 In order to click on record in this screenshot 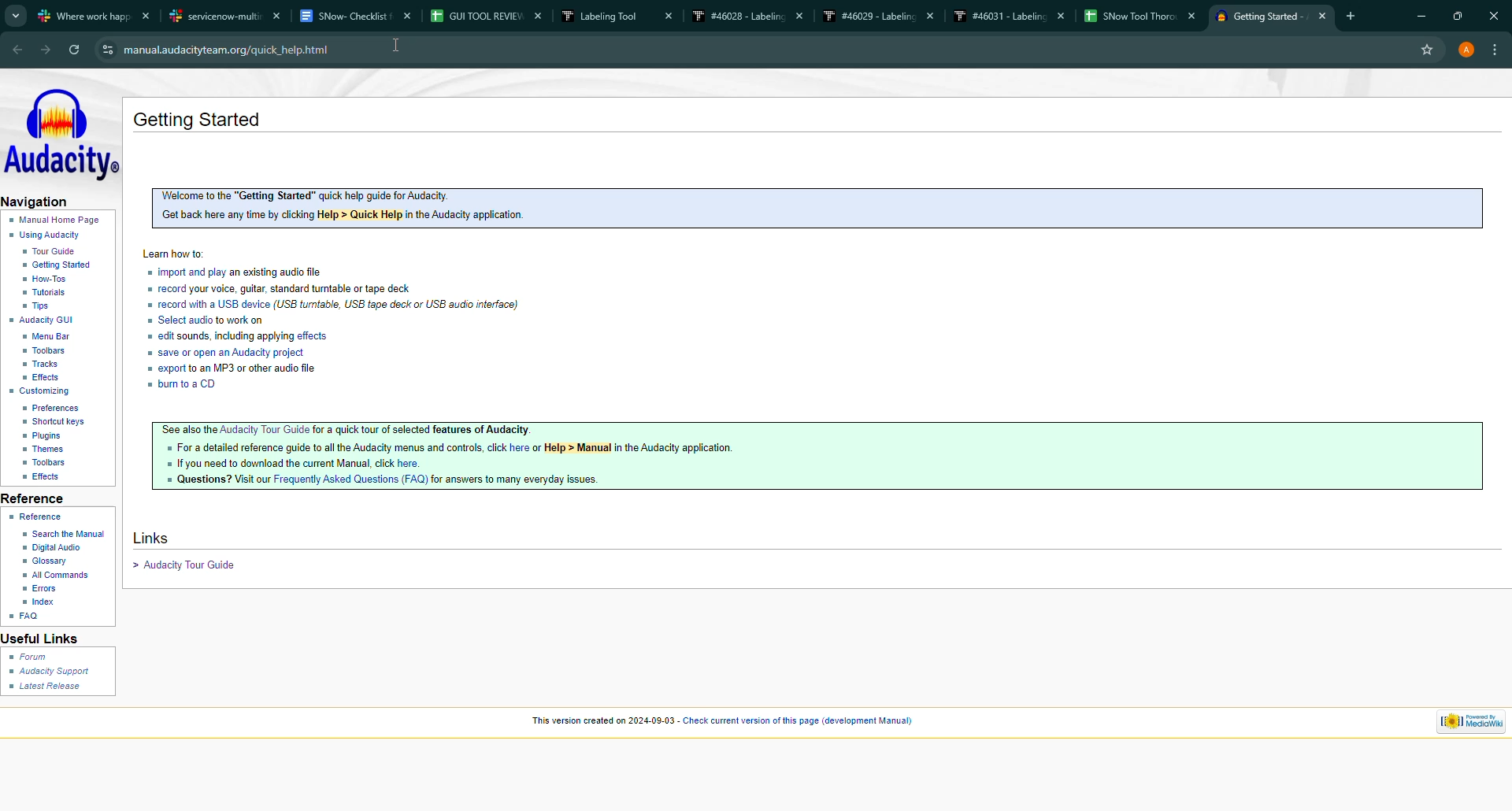, I will do `click(165, 291)`.